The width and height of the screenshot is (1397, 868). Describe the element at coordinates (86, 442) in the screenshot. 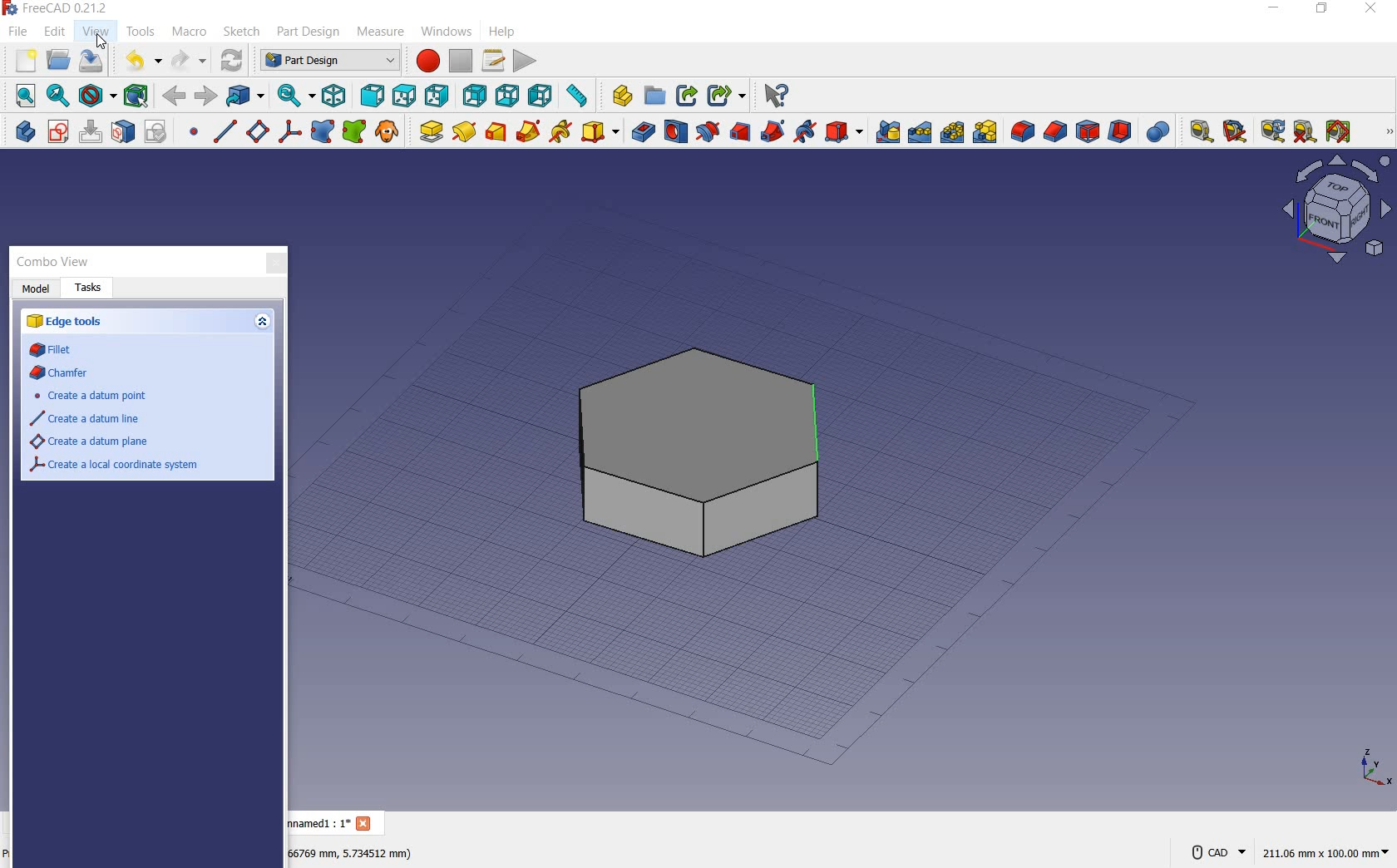

I see `create a datum plane` at that location.